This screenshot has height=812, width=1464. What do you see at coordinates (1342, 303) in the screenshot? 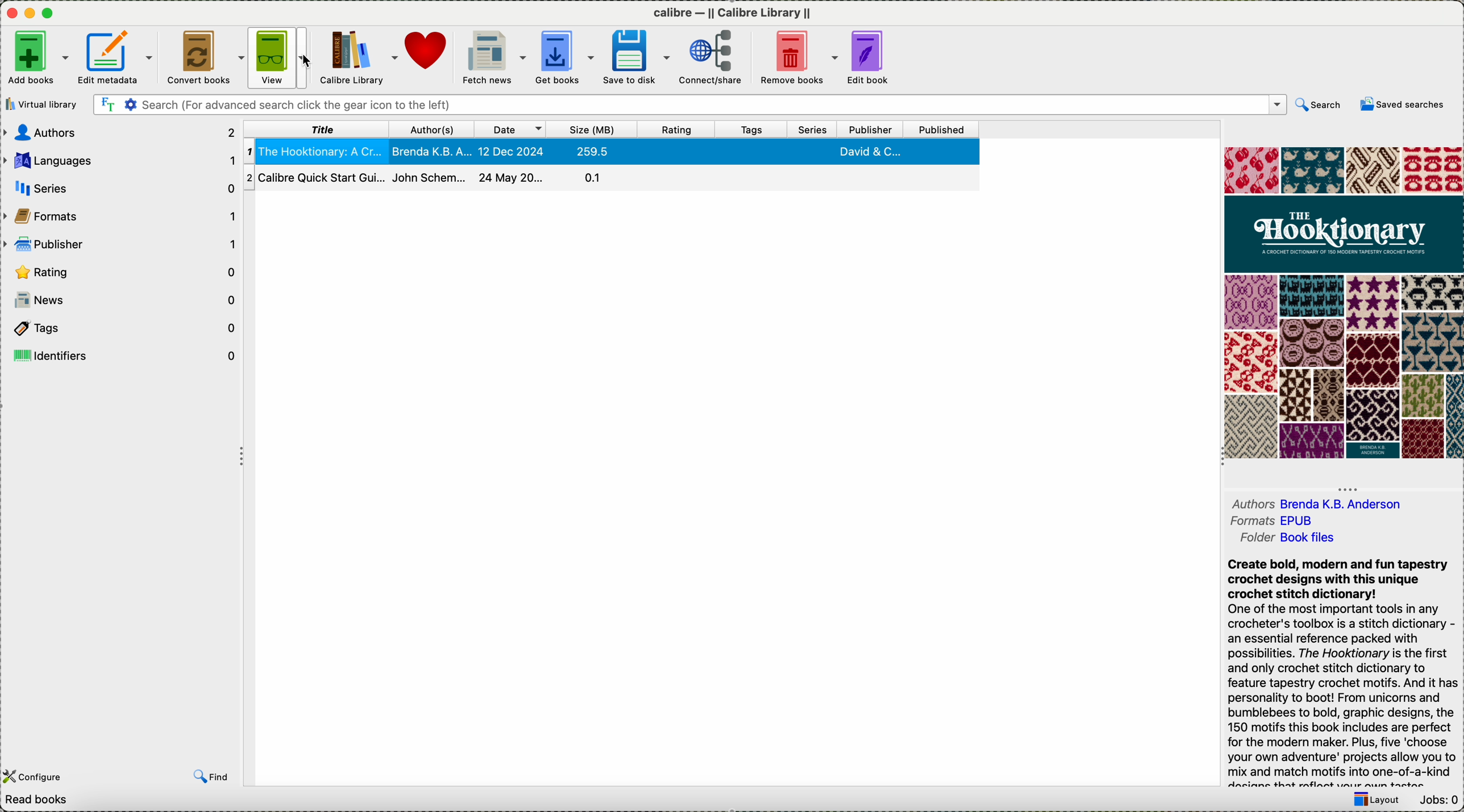
I see `book cover preview` at bounding box center [1342, 303].